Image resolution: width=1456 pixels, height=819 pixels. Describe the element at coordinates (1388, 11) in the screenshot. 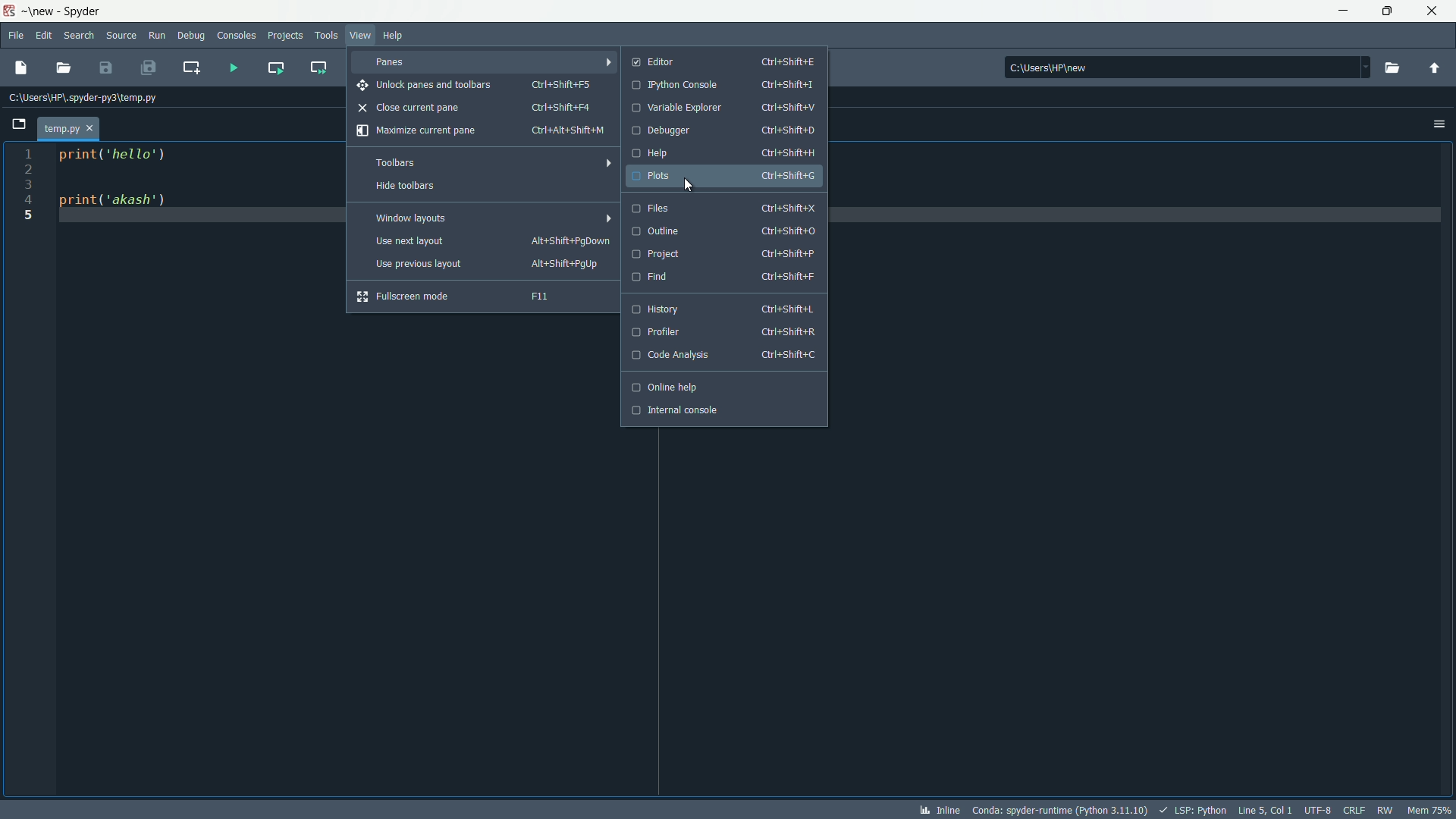

I see `restore` at that location.